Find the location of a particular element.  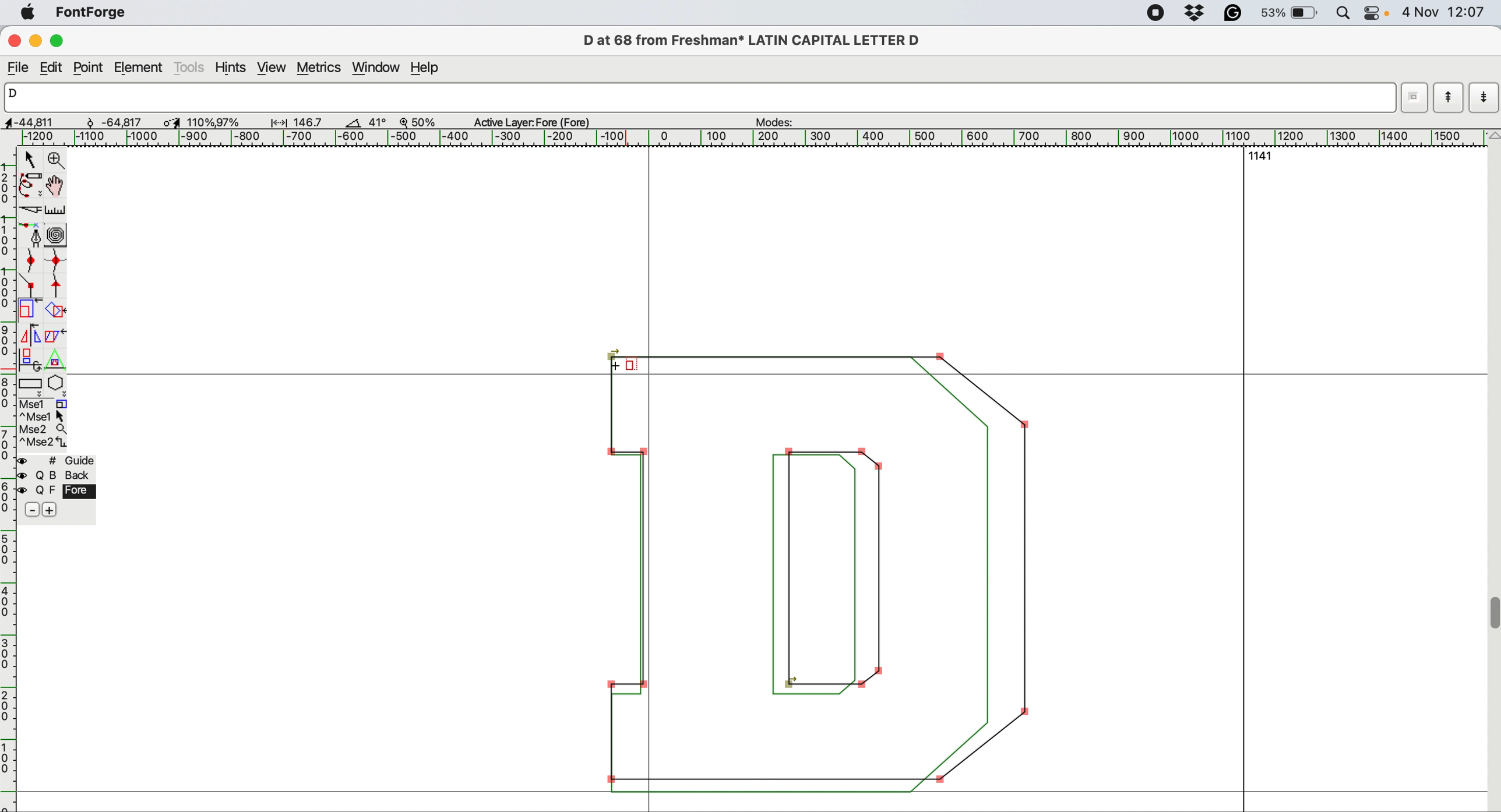

add a comer point is located at coordinates (30, 286).